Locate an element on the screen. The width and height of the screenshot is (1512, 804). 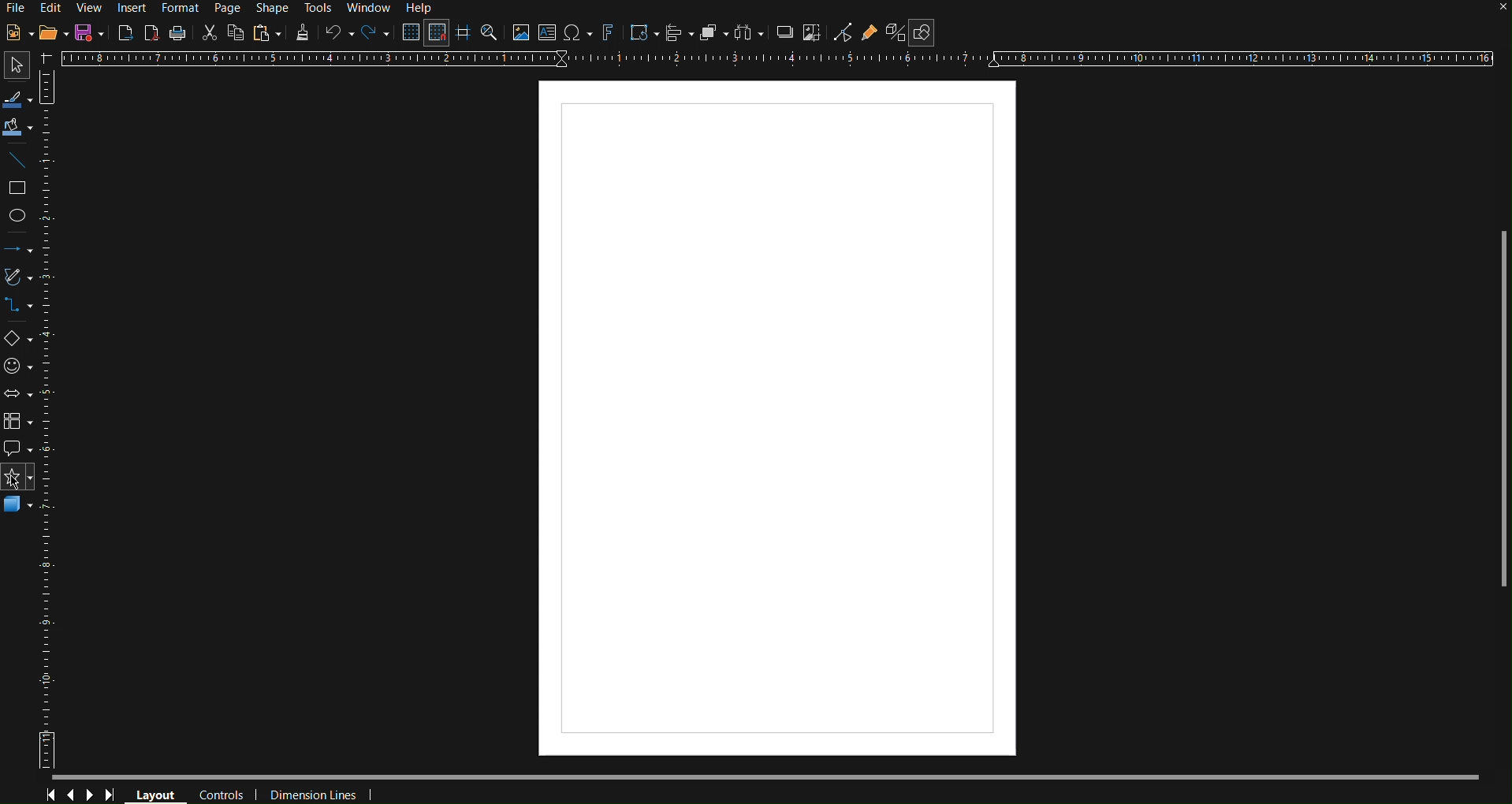
Align Objects is located at coordinates (676, 35).